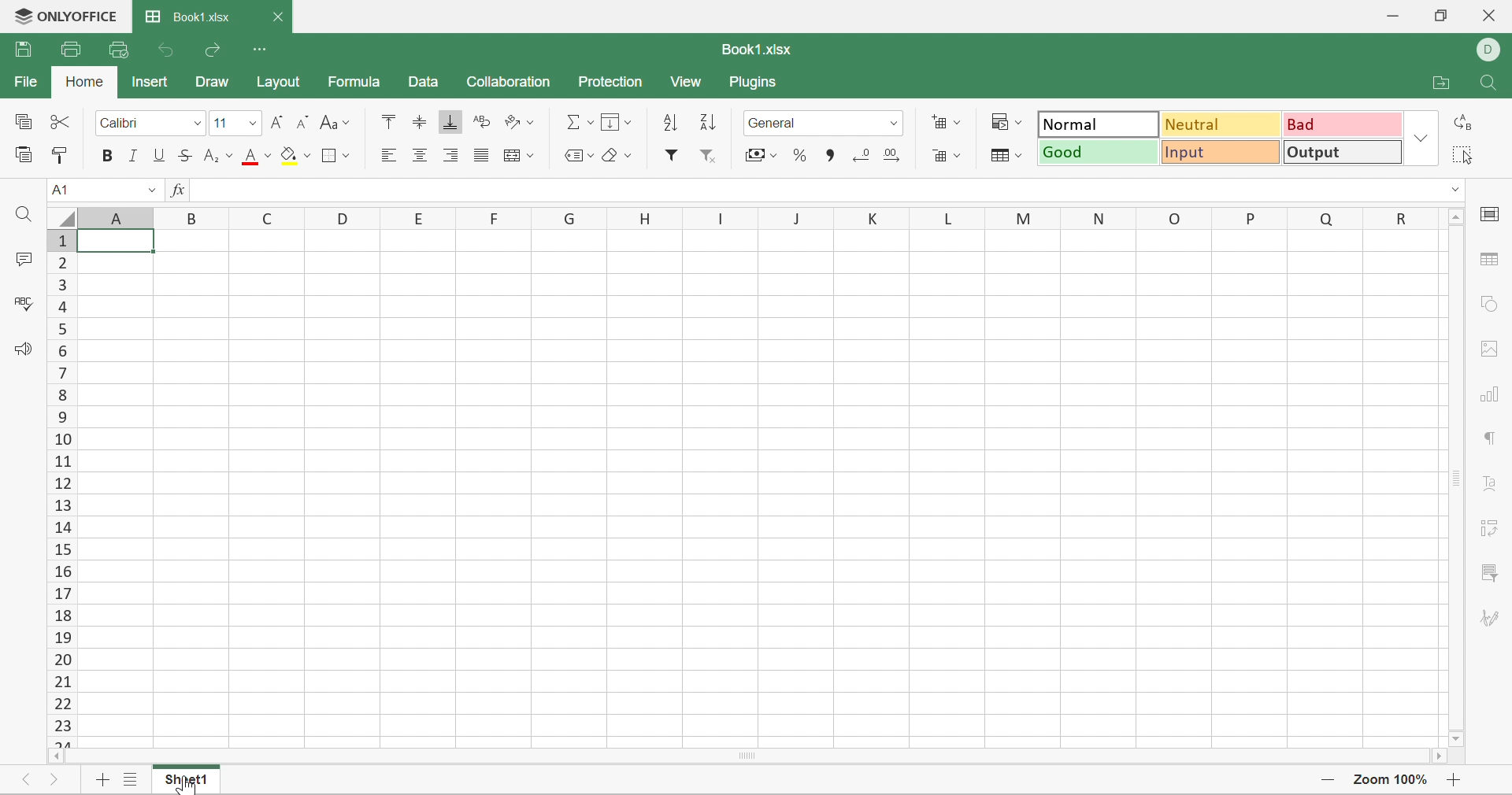 The width and height of the screenshot is (1512, 795). What do you see at coordinates (218, 157) in the screenshot?
I see `Superscript / Subscript` at bounding box center [218, 157].